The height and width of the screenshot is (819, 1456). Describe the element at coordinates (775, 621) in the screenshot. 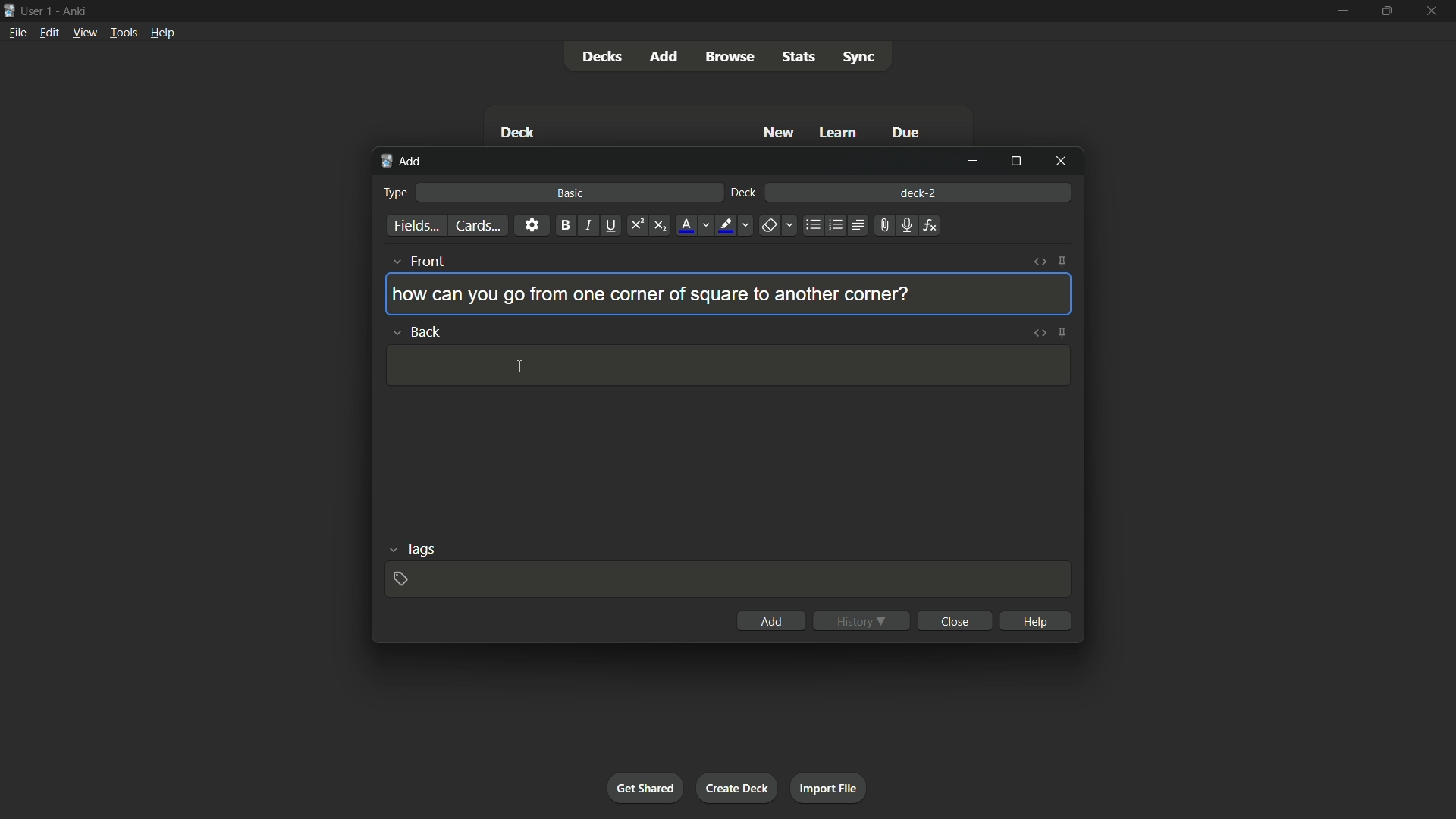

I see `add` at that location.